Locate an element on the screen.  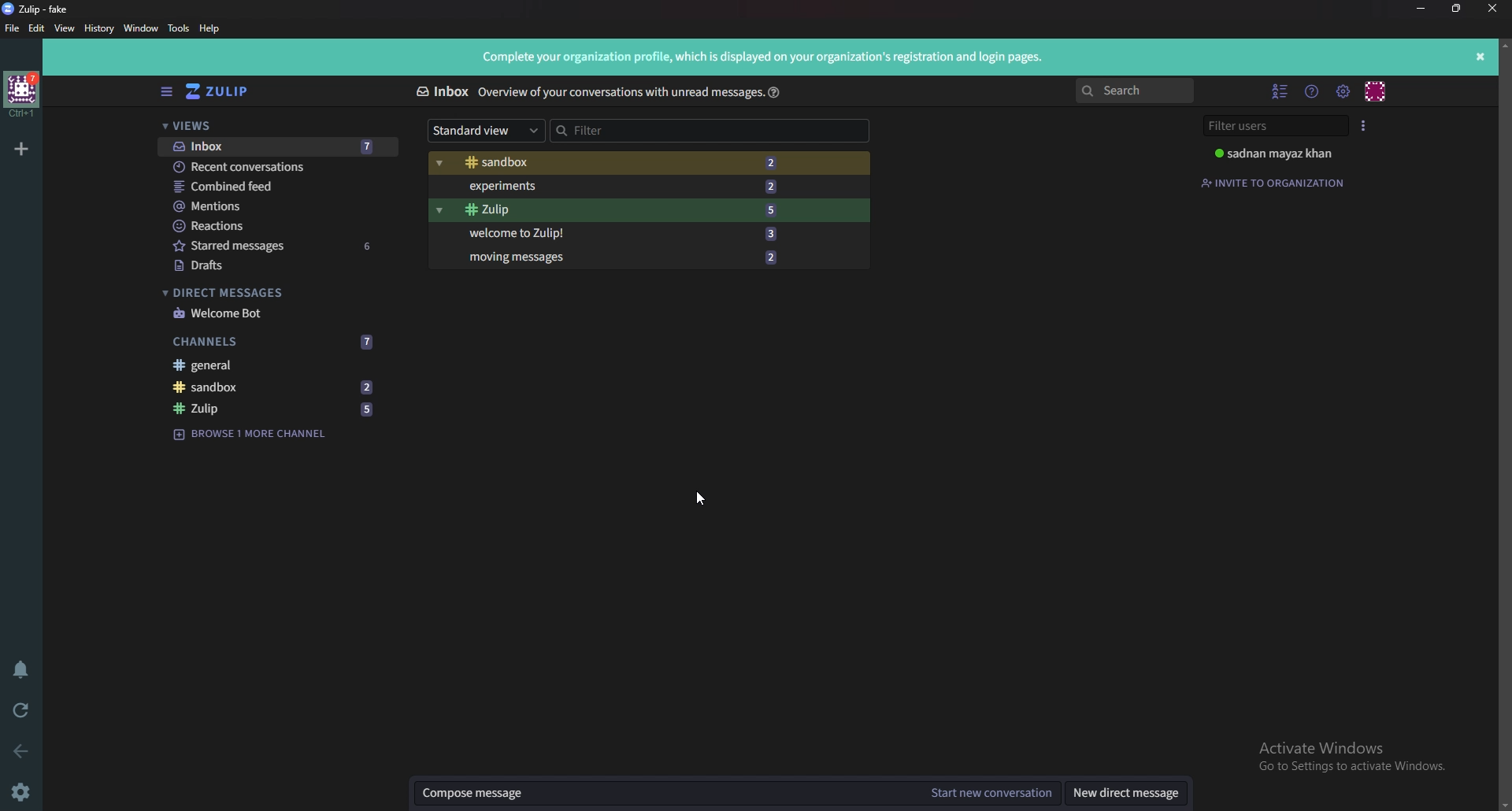
close is located at coordinates (1492, 9).